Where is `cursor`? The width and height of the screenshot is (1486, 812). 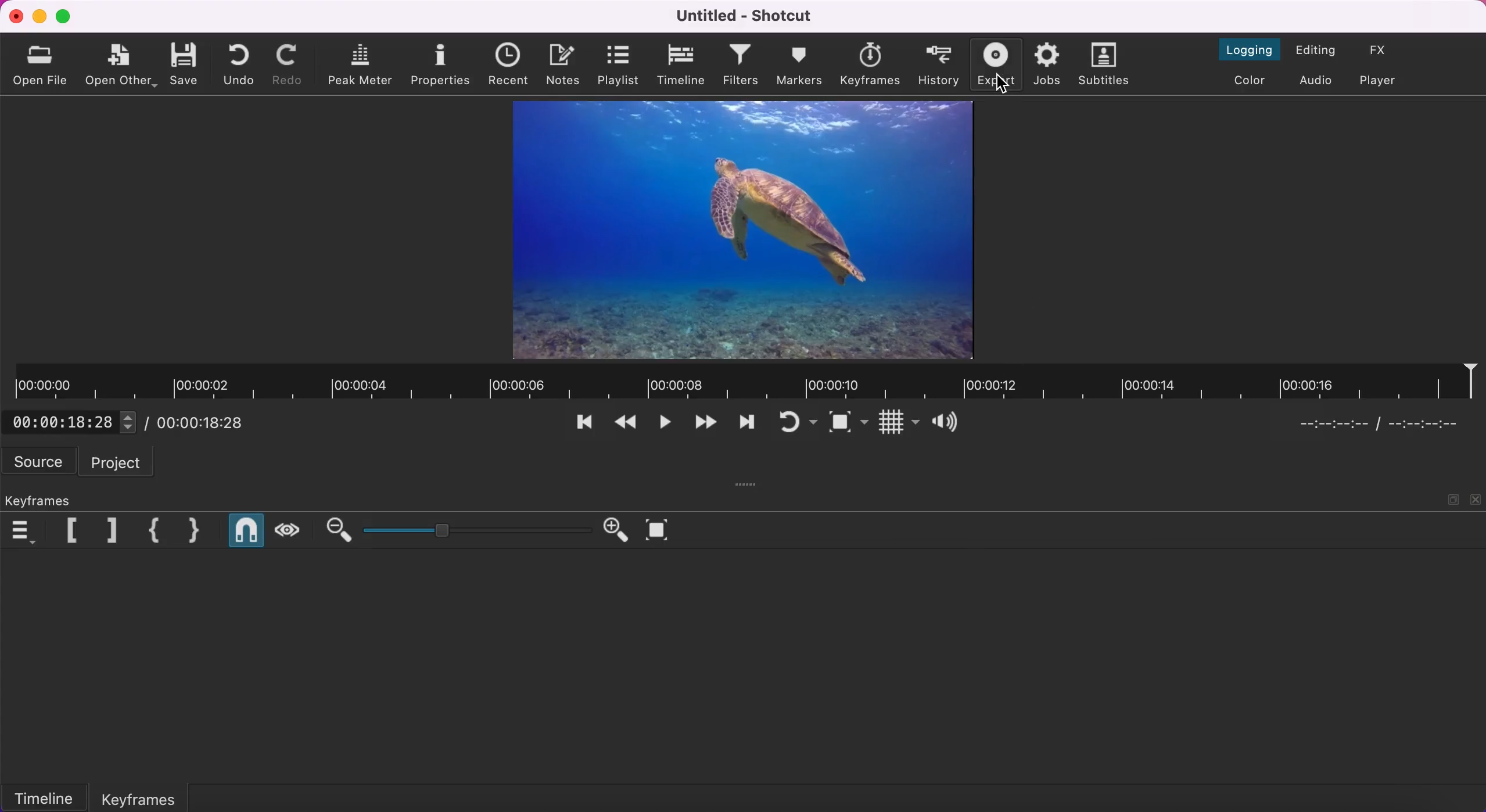 cursor is located at coordinates (1001, 85).